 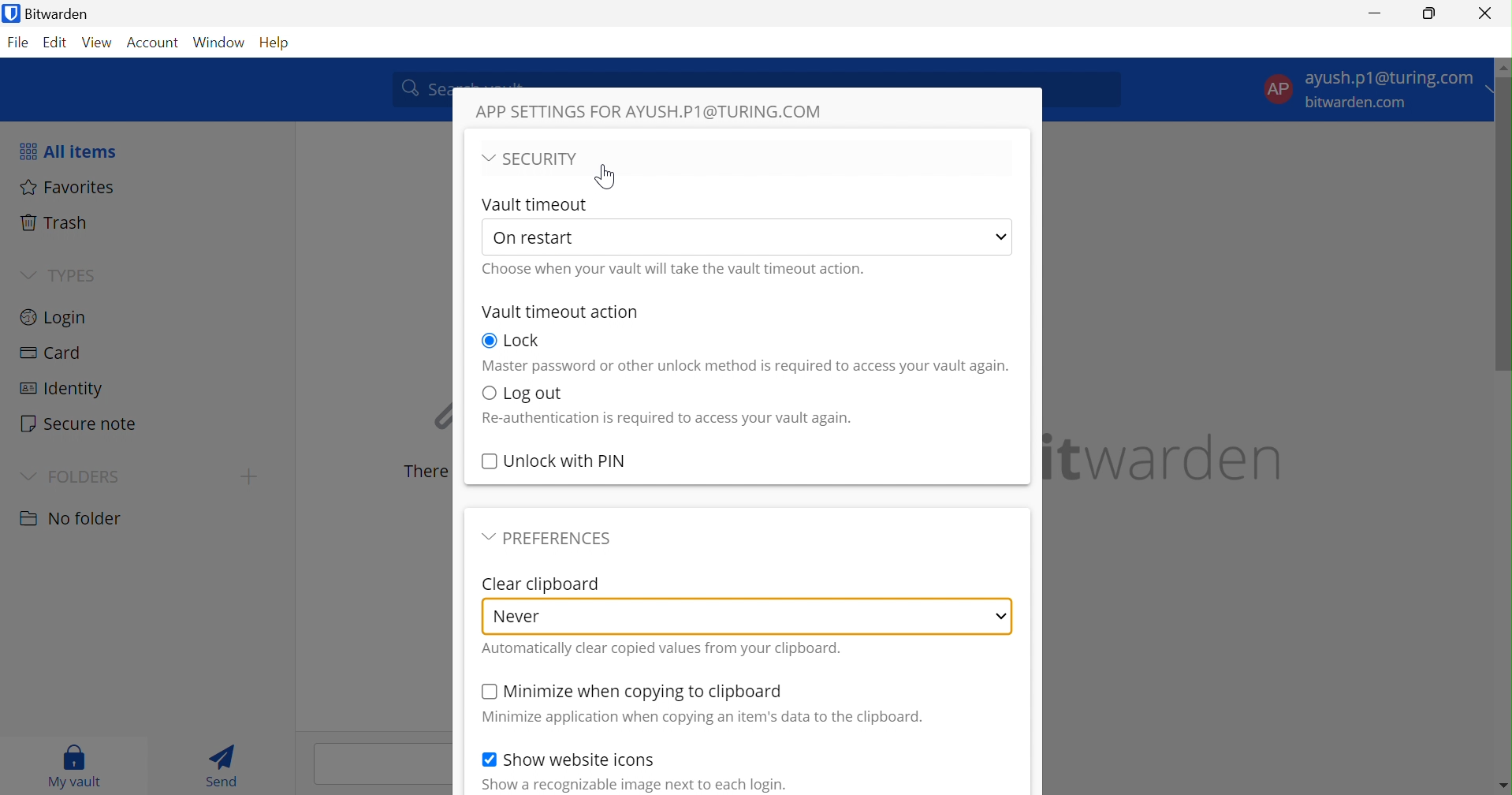 What do you see at coordinates (18, 44) in the screenshot?
I see `File` at bounding box center [18, 44].